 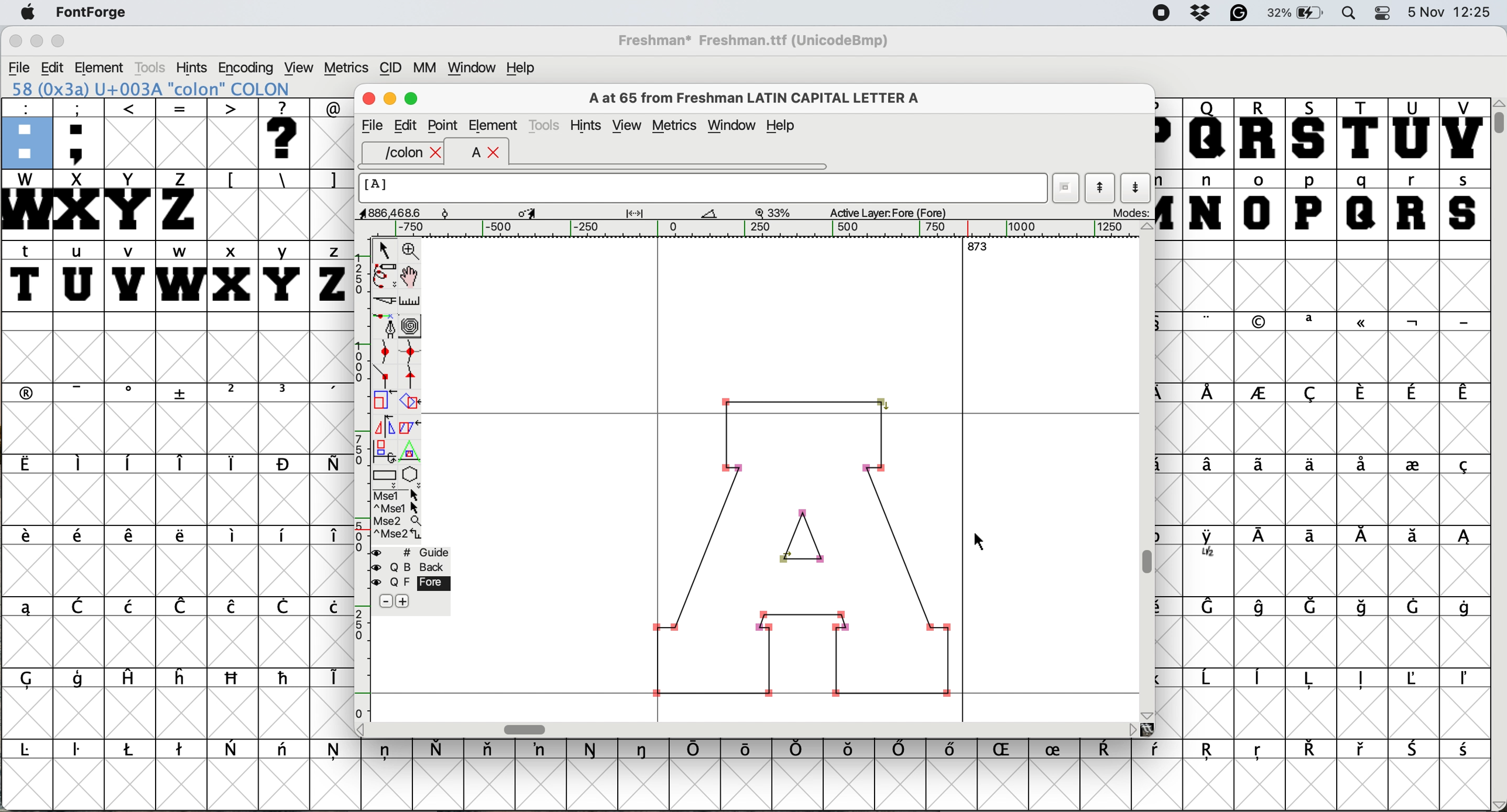 I want to click on symbol, so click(x=284, y=393).